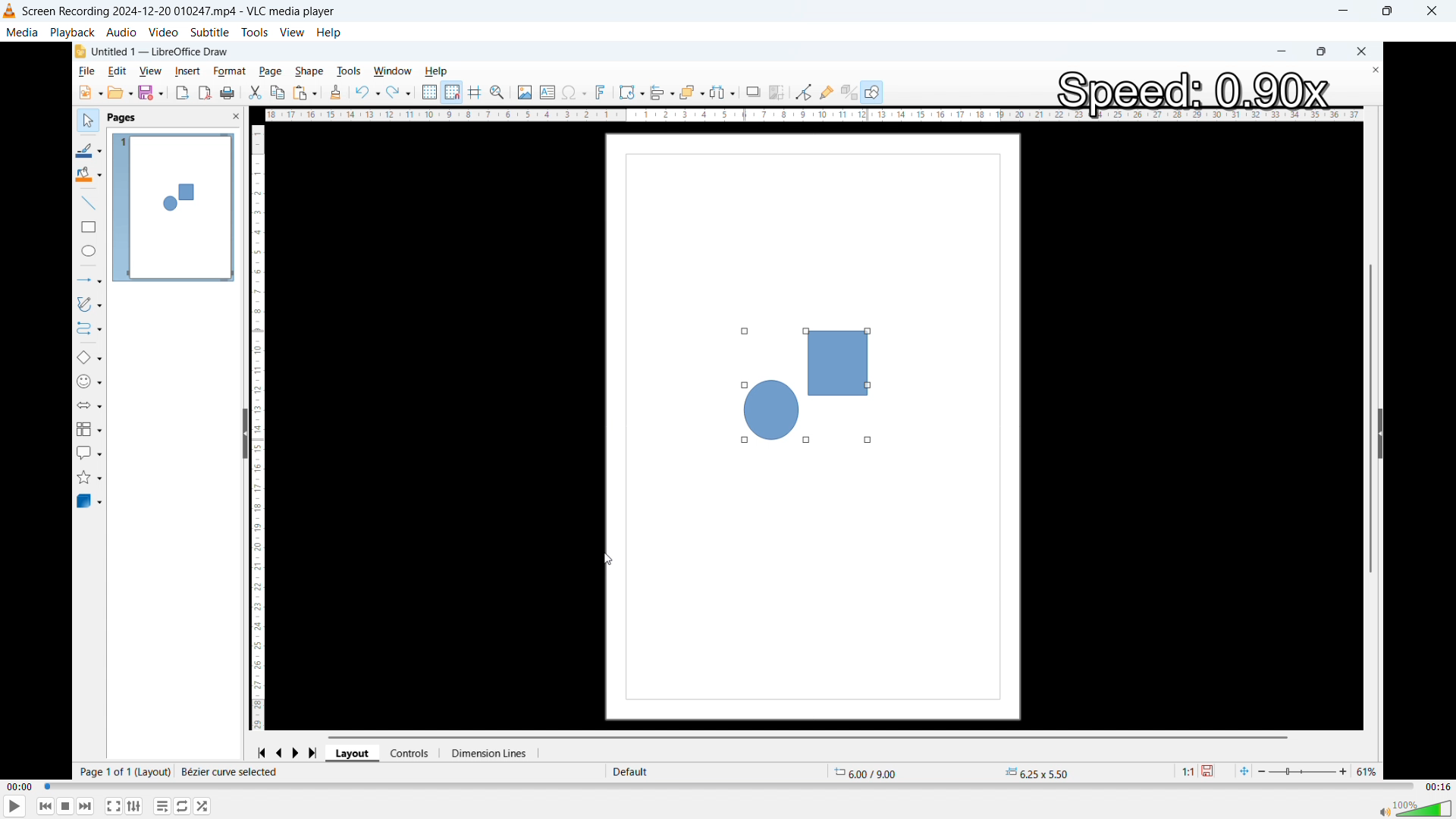 The width and height of the screenshot is (1456, 819). Describe the element at coordinates (1191, 91) in the screenshot. I see `Speed 0.90 x` at that location.